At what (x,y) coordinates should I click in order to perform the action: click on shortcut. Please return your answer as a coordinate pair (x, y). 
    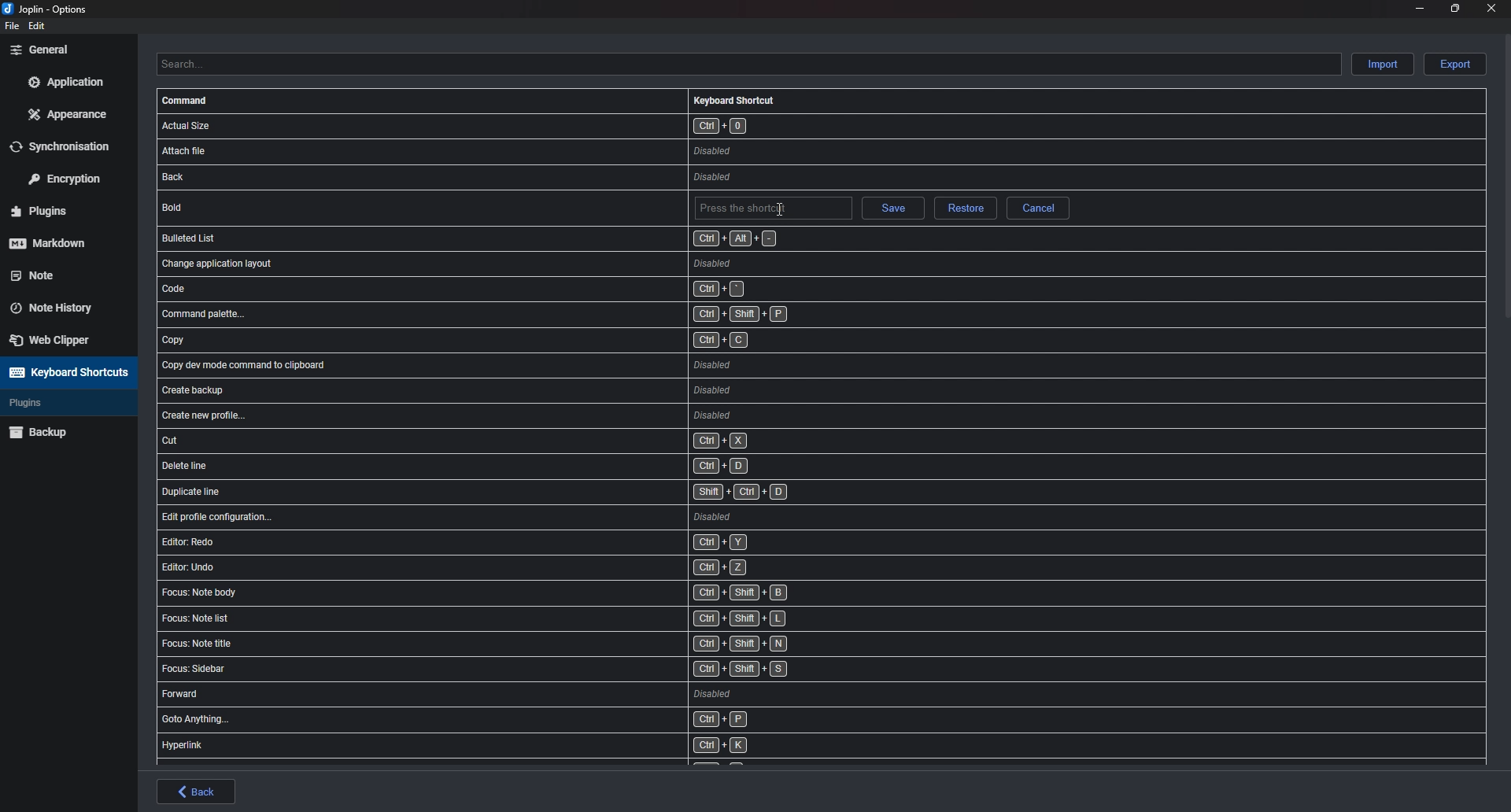
    Looking at the image, I should click on (519, 695).